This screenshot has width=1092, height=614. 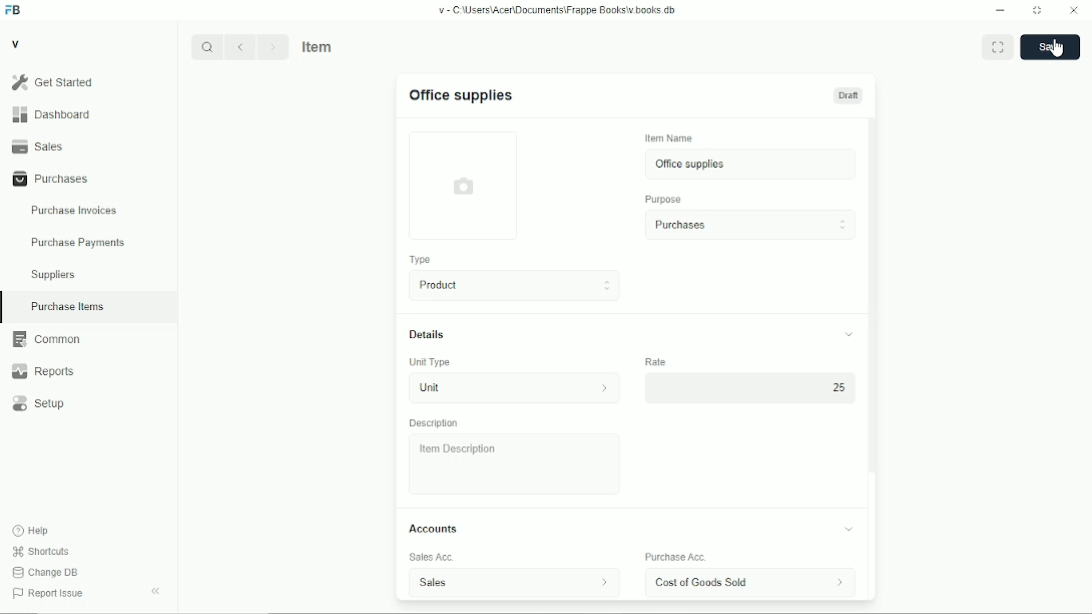 What do you see at coordinates (47, 339) in the screenshot?
I see `common` at bounding box center [47, 339].